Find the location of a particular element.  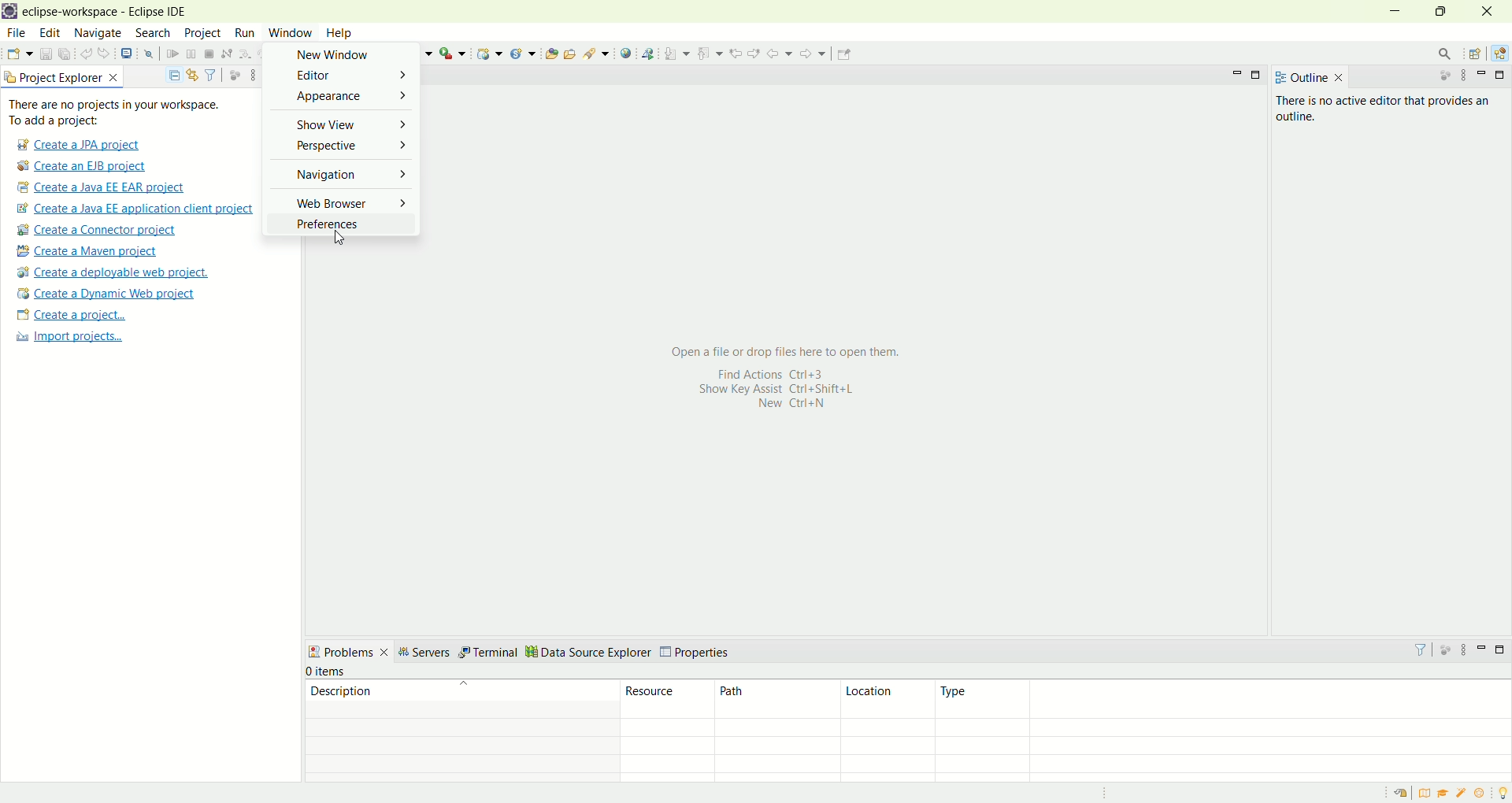

search is located at coordinates (597, 53).